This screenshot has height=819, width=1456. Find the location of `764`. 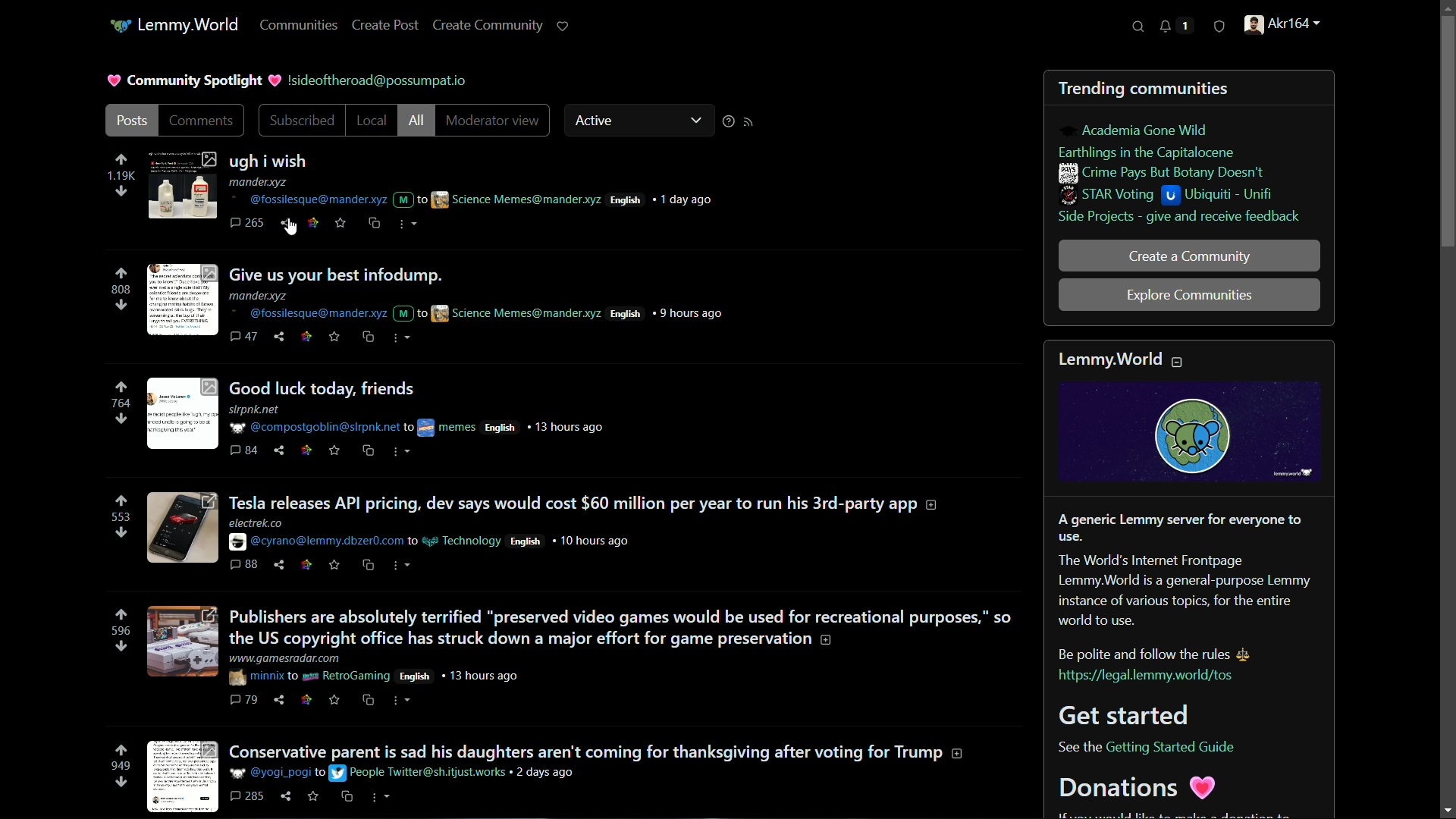

764 is located at coordinates (122, 403).